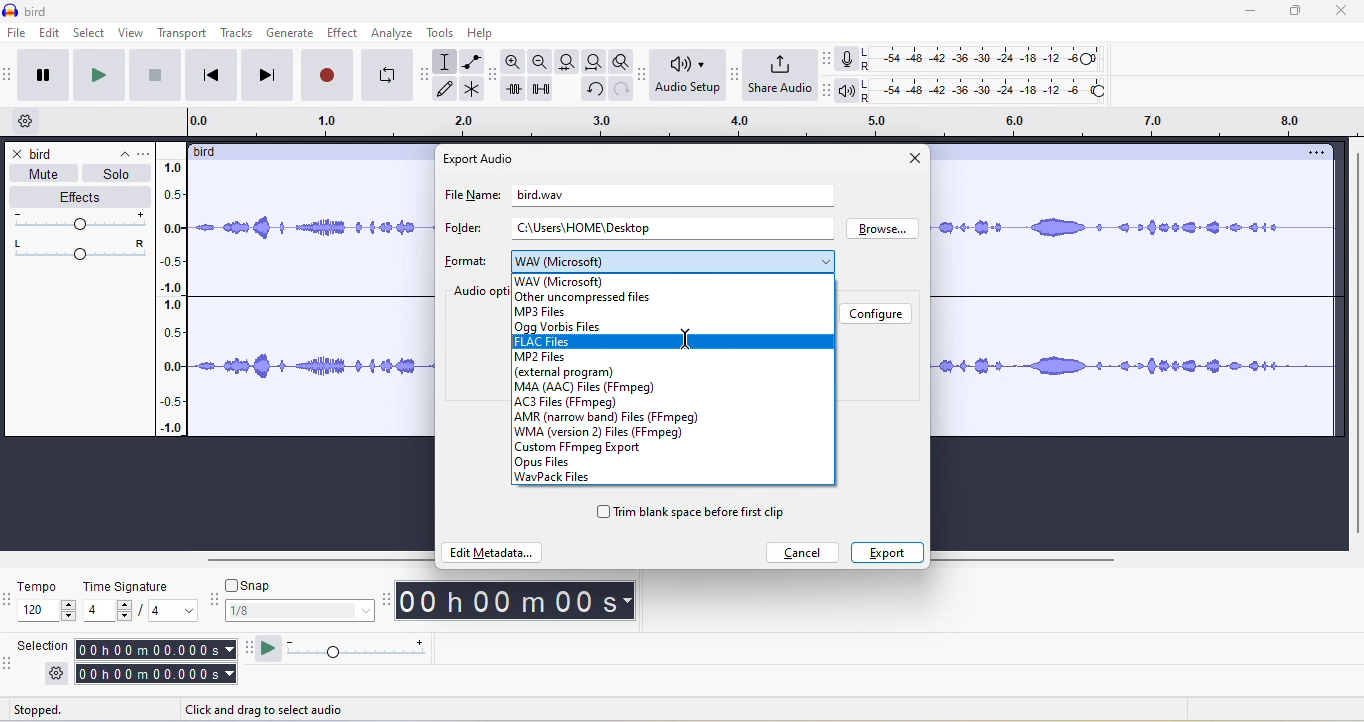 This screenshot has width=1364, height=722. What do you see at coordinates (588, 228) in the screenshot?
I see `location` at bounding box center [588, 228].